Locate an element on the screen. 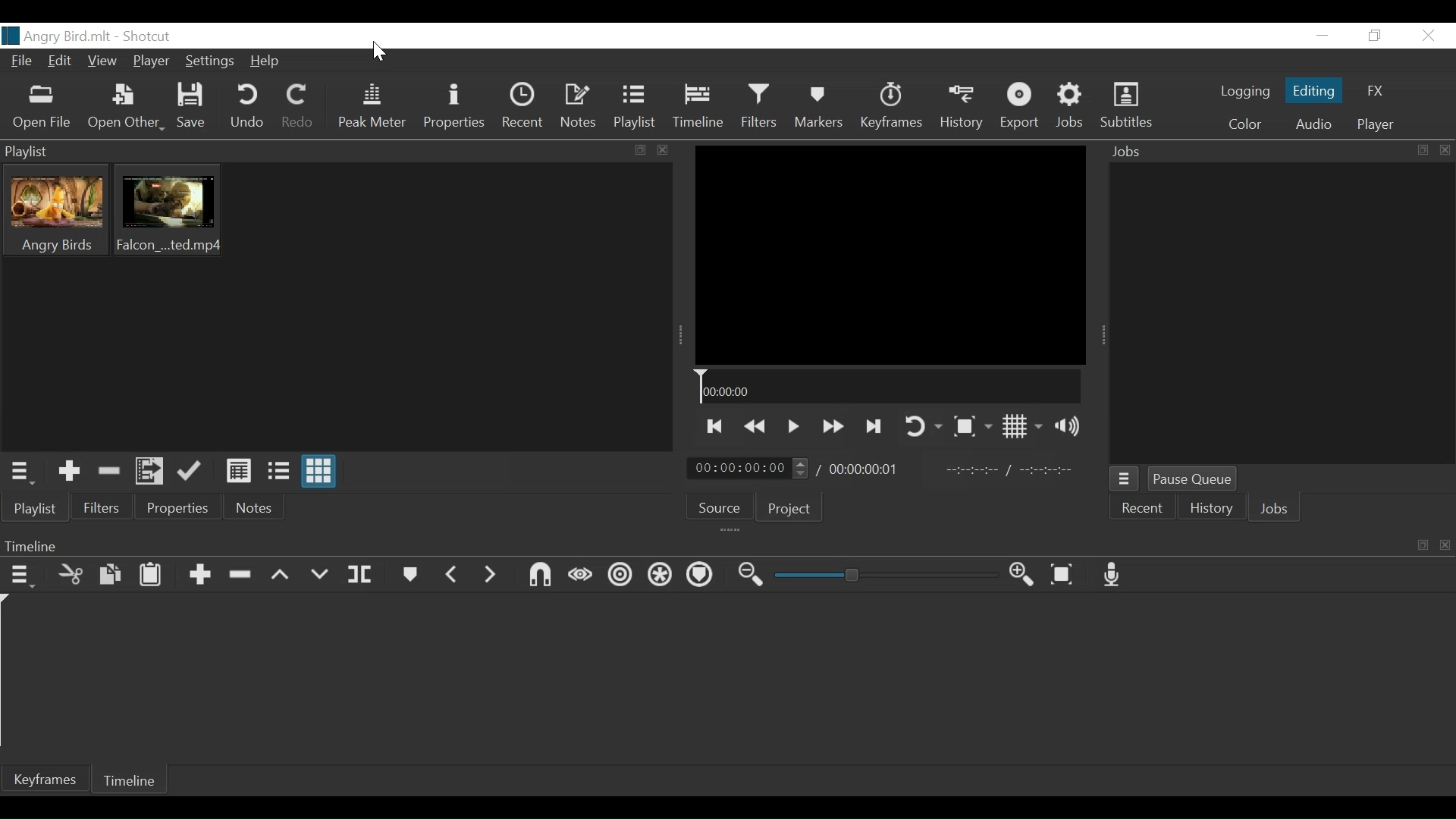 This screenshot has height=819, width=1456. File is located at coordinates (22, 63).